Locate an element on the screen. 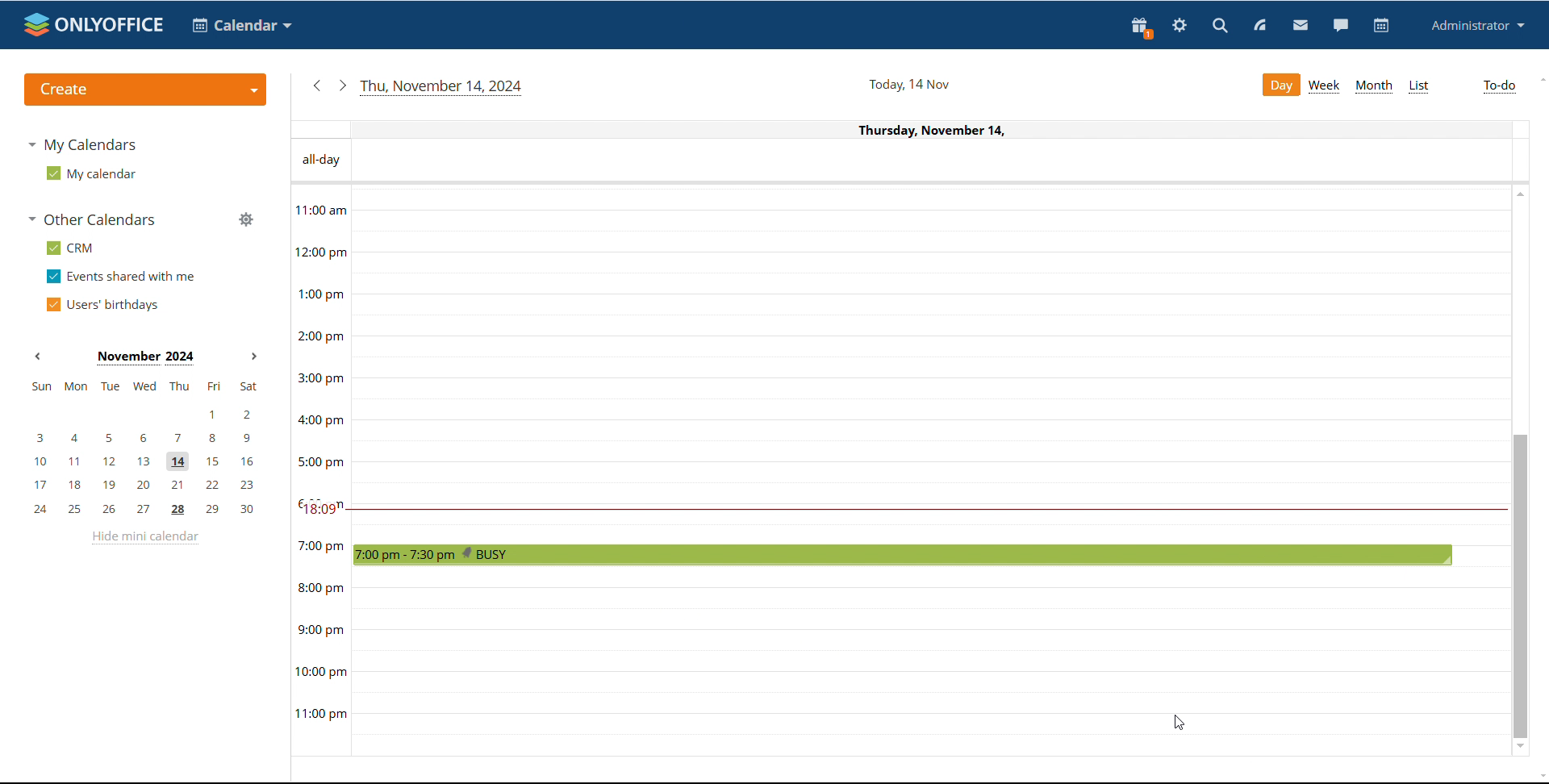  next date is located at coordinates (341, 85).